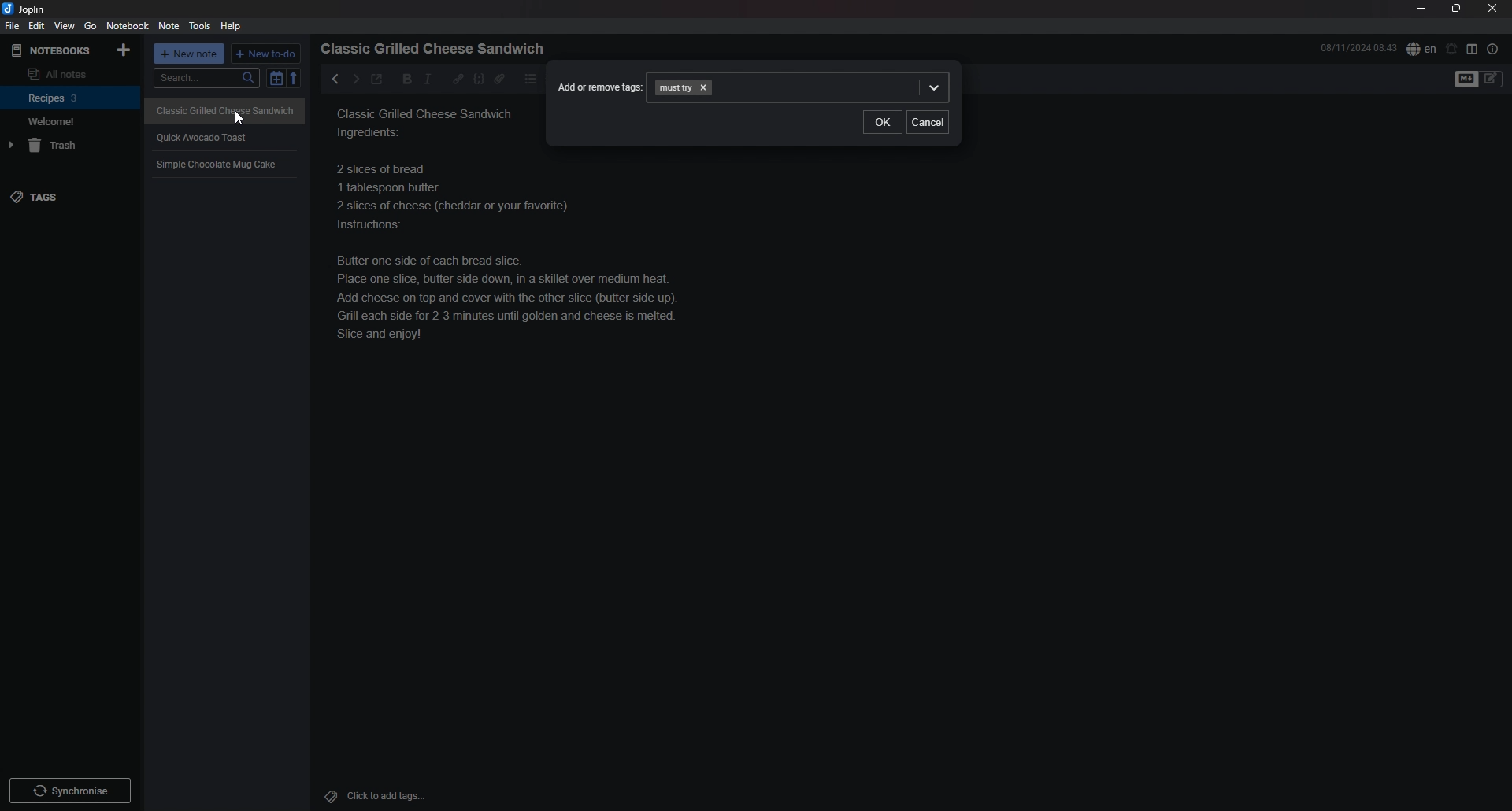 This screenshot has height=811, width=1512. Describe the element at coordinates (200, 25) in the screenshot. I see `tools` at that location.